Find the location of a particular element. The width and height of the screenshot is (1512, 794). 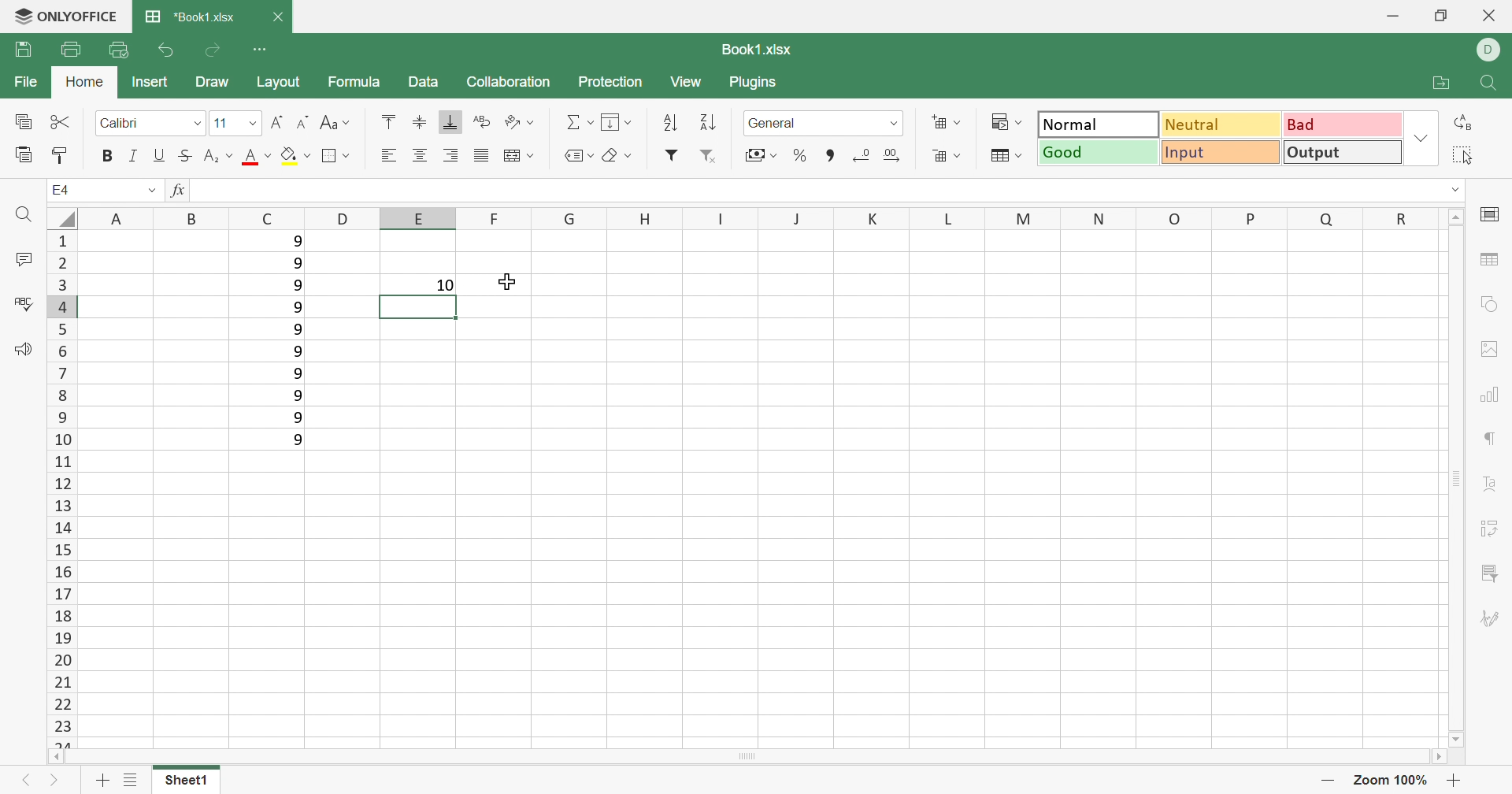

Superscript / Subscript is located at coordinates (216, 157).